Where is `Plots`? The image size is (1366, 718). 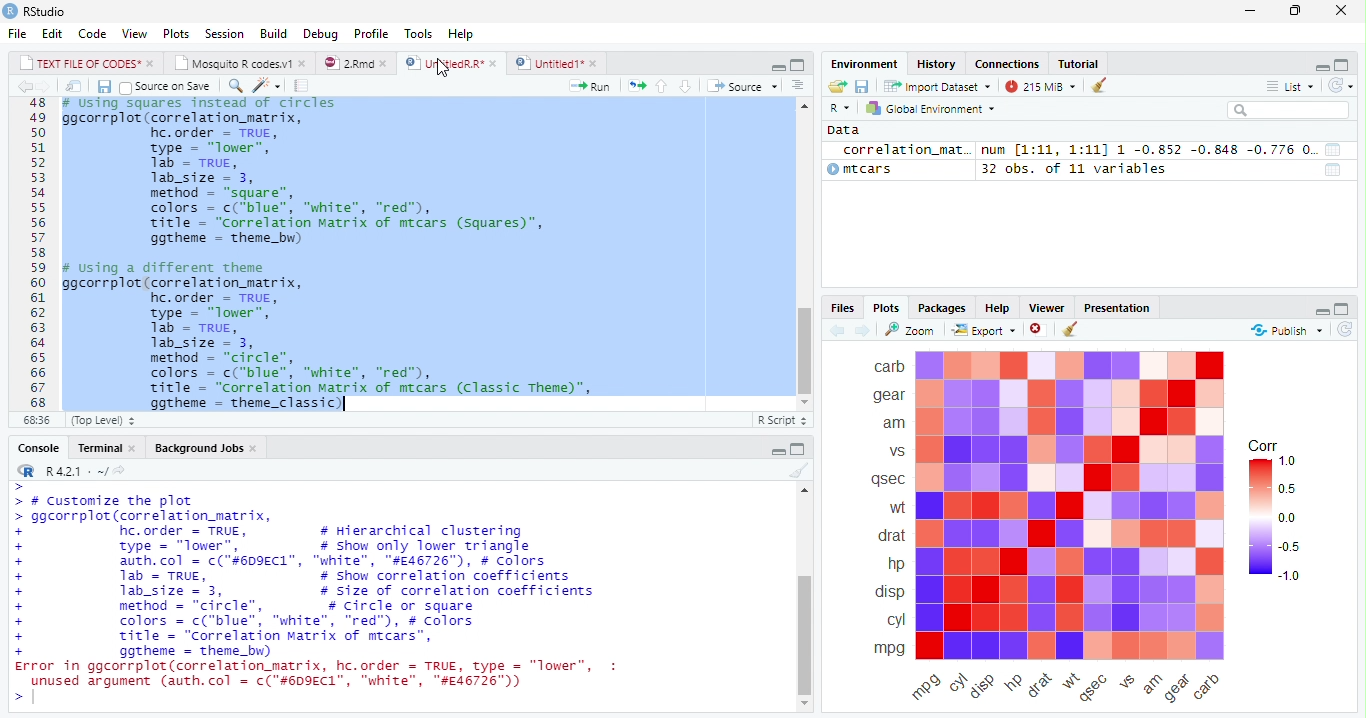
Plots is located at coordinates (888, 309).